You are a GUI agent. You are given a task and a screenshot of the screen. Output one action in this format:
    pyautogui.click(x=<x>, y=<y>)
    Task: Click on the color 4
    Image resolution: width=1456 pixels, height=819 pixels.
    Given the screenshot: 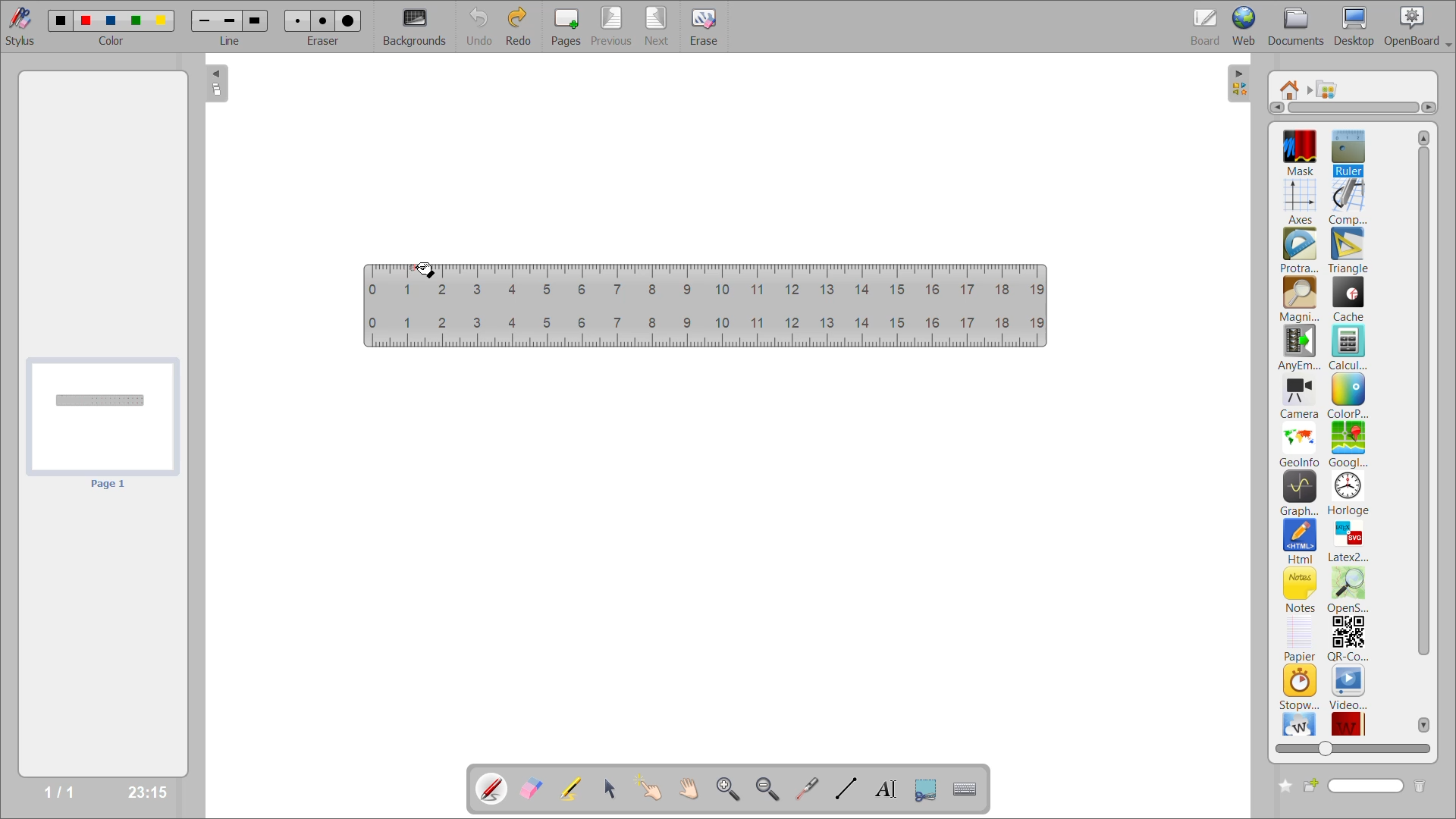 What is the action you would take?
    pyautogui.click(x=135, y=22)
    